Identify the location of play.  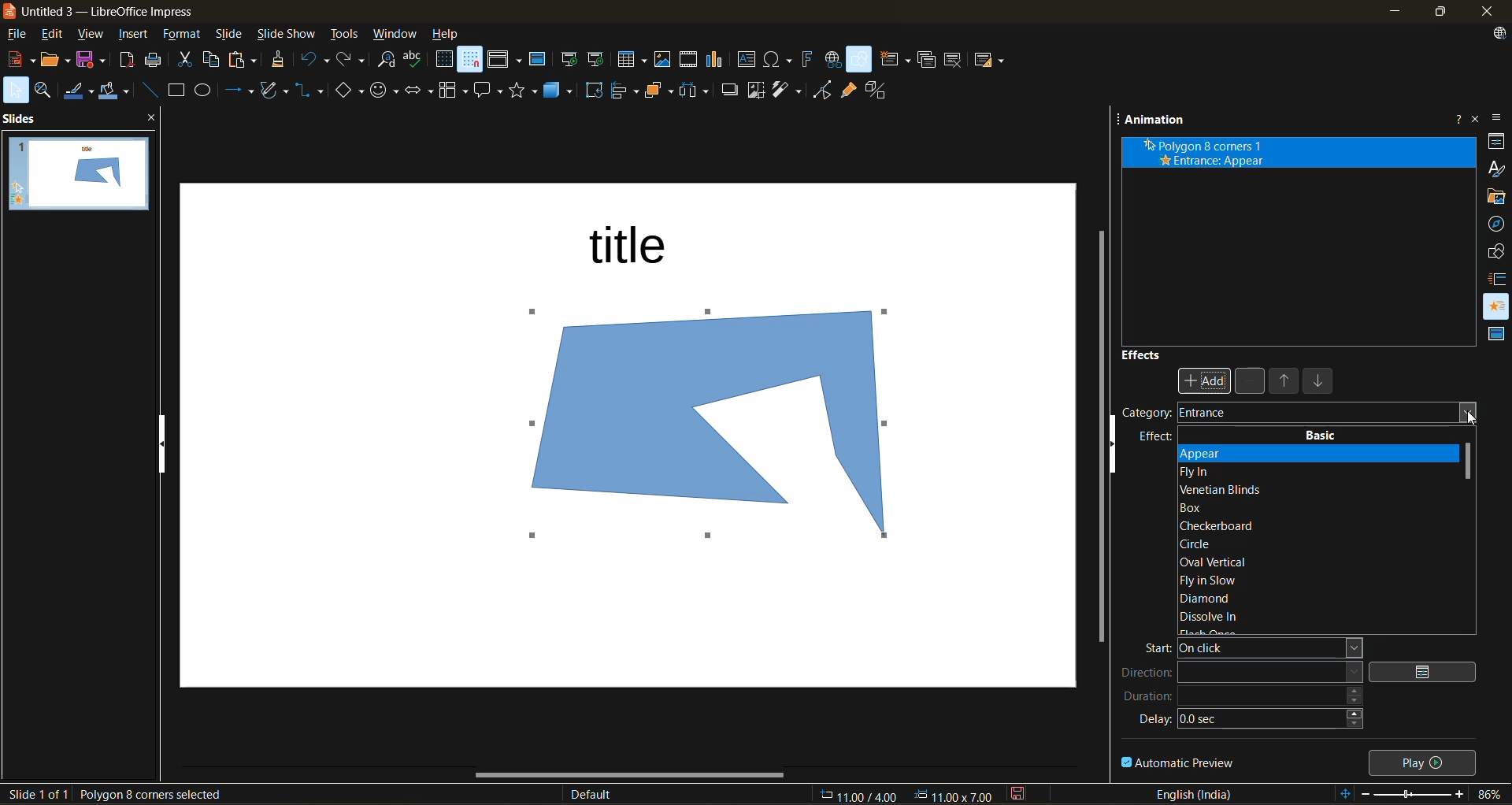
(1426, 761).